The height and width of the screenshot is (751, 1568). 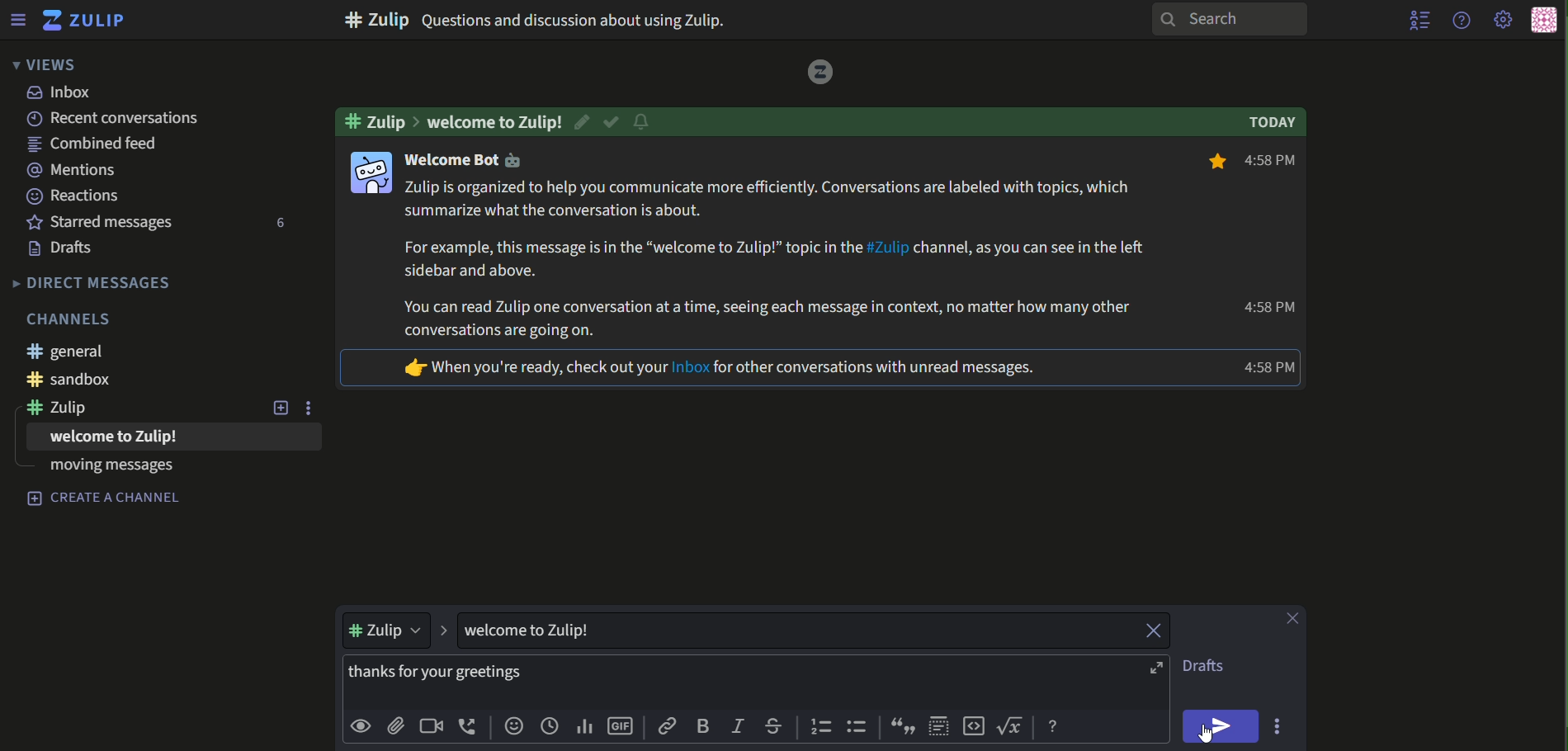 I want to click on fullscreen, so click(x=1159, y=668).